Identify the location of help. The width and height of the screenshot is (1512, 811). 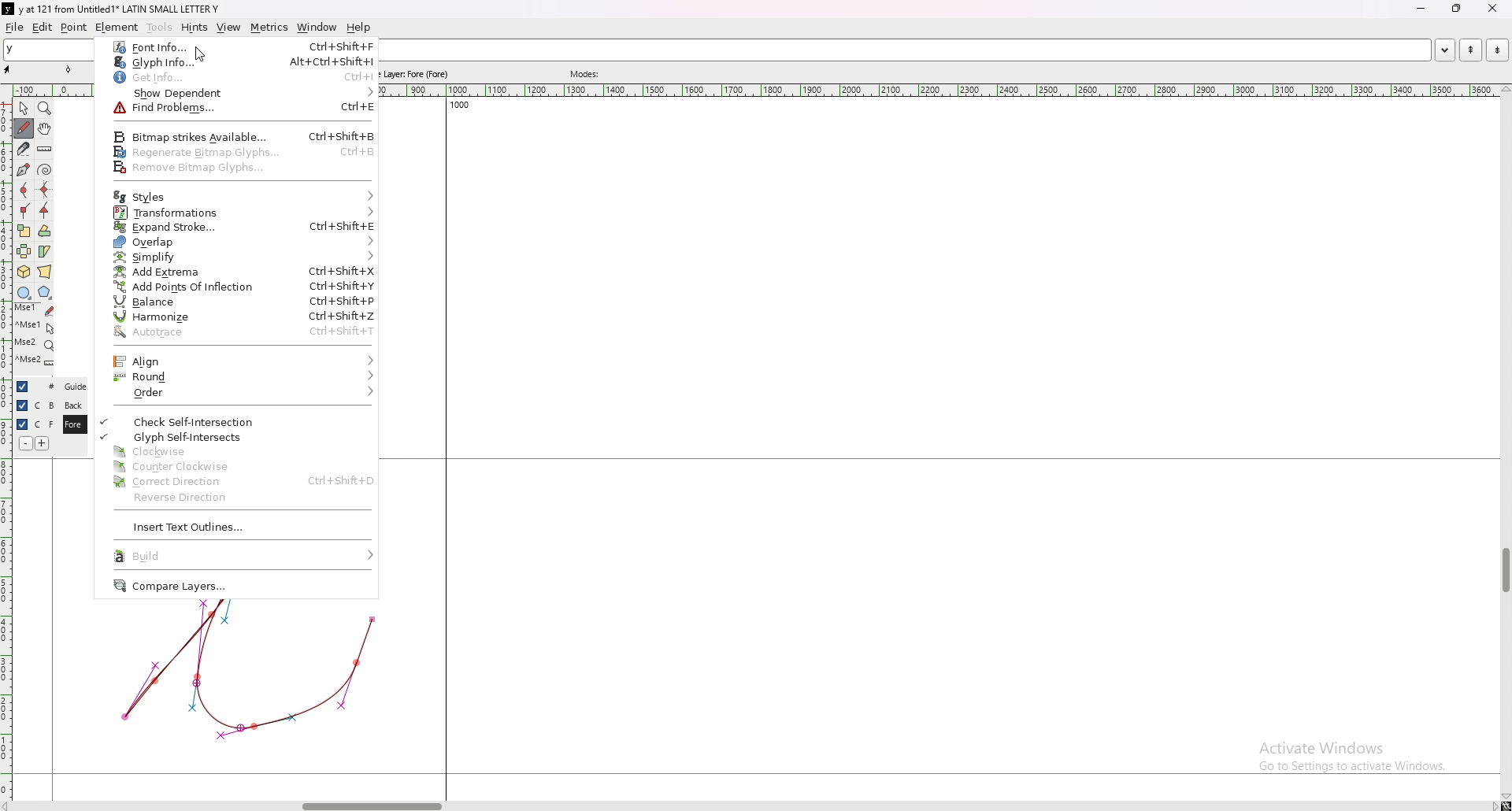
(358, 28).